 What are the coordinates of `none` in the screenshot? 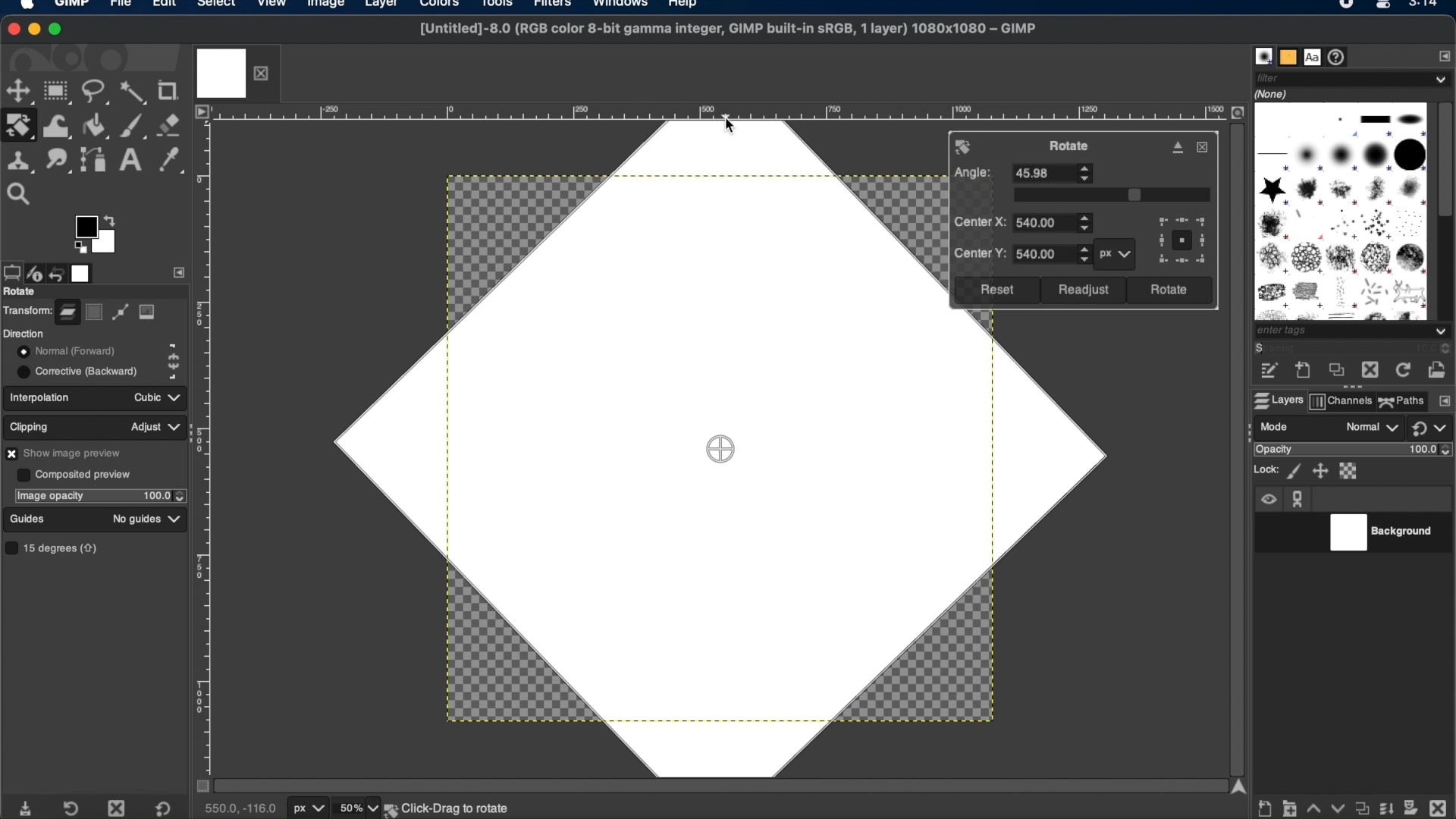 It's located at (1274, 93).